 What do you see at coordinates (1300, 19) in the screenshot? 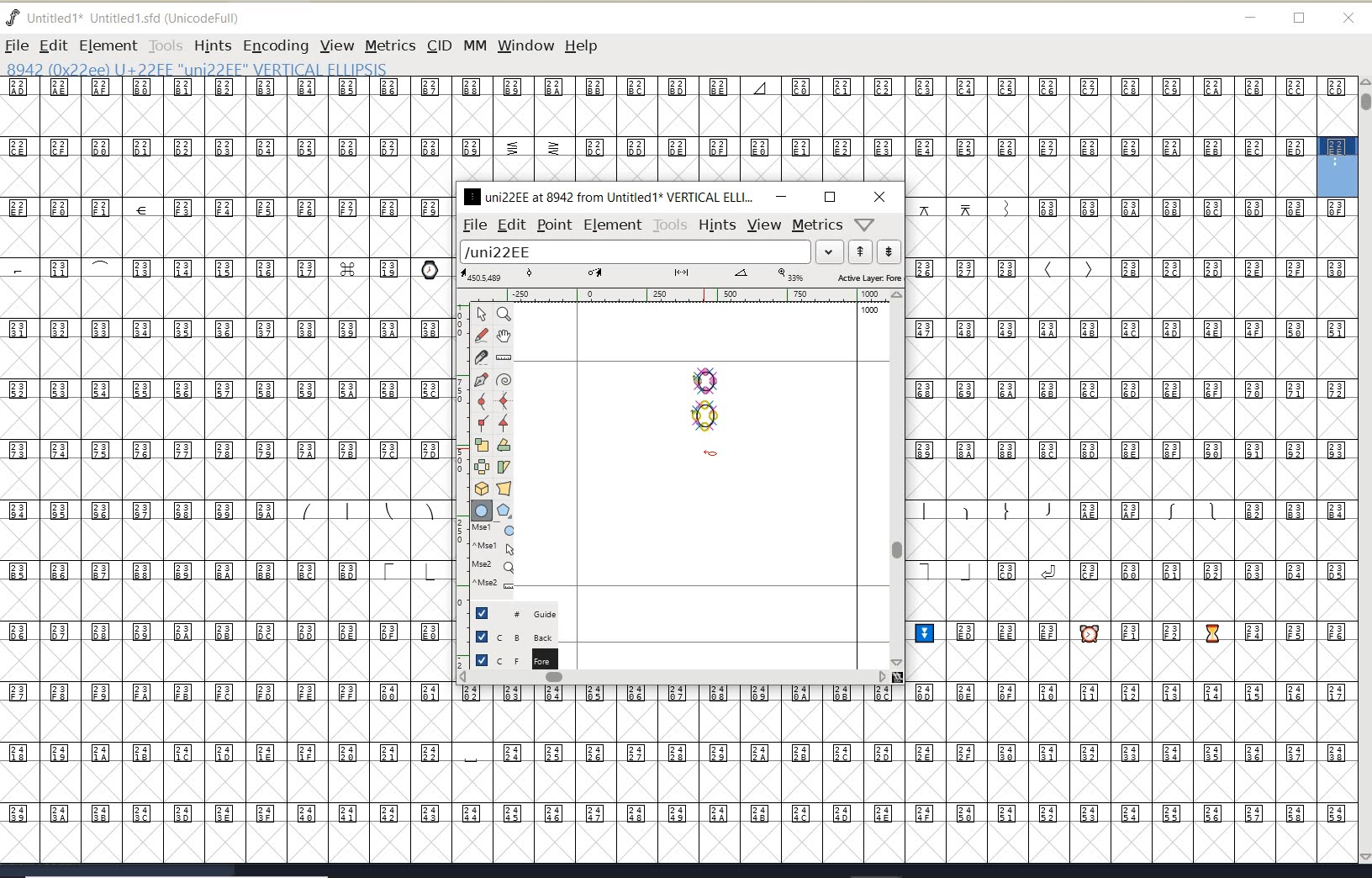
I see `restore` at bounding box center [1300, 19].